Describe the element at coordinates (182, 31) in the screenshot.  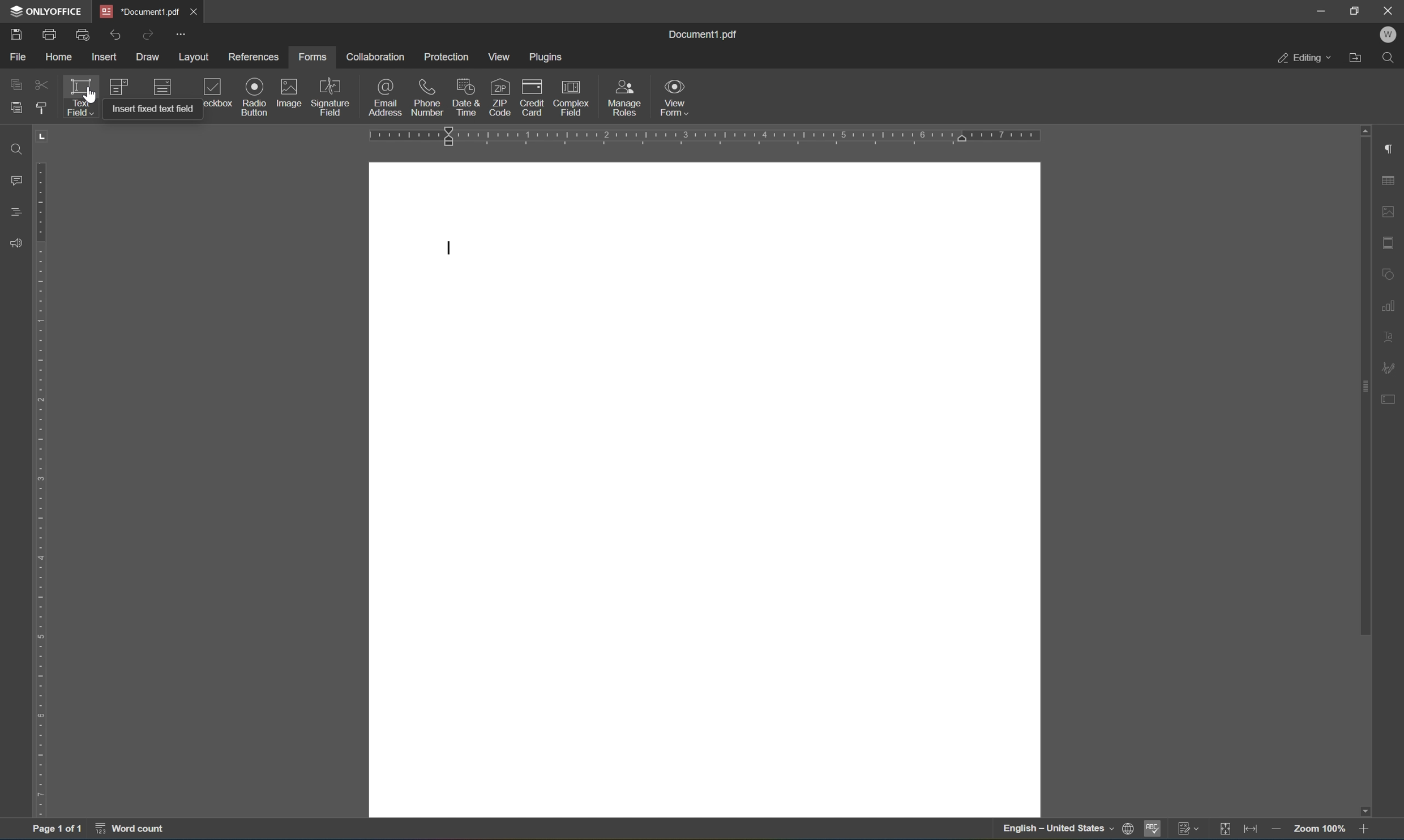
I see `customize quick access toolbar` at that location.